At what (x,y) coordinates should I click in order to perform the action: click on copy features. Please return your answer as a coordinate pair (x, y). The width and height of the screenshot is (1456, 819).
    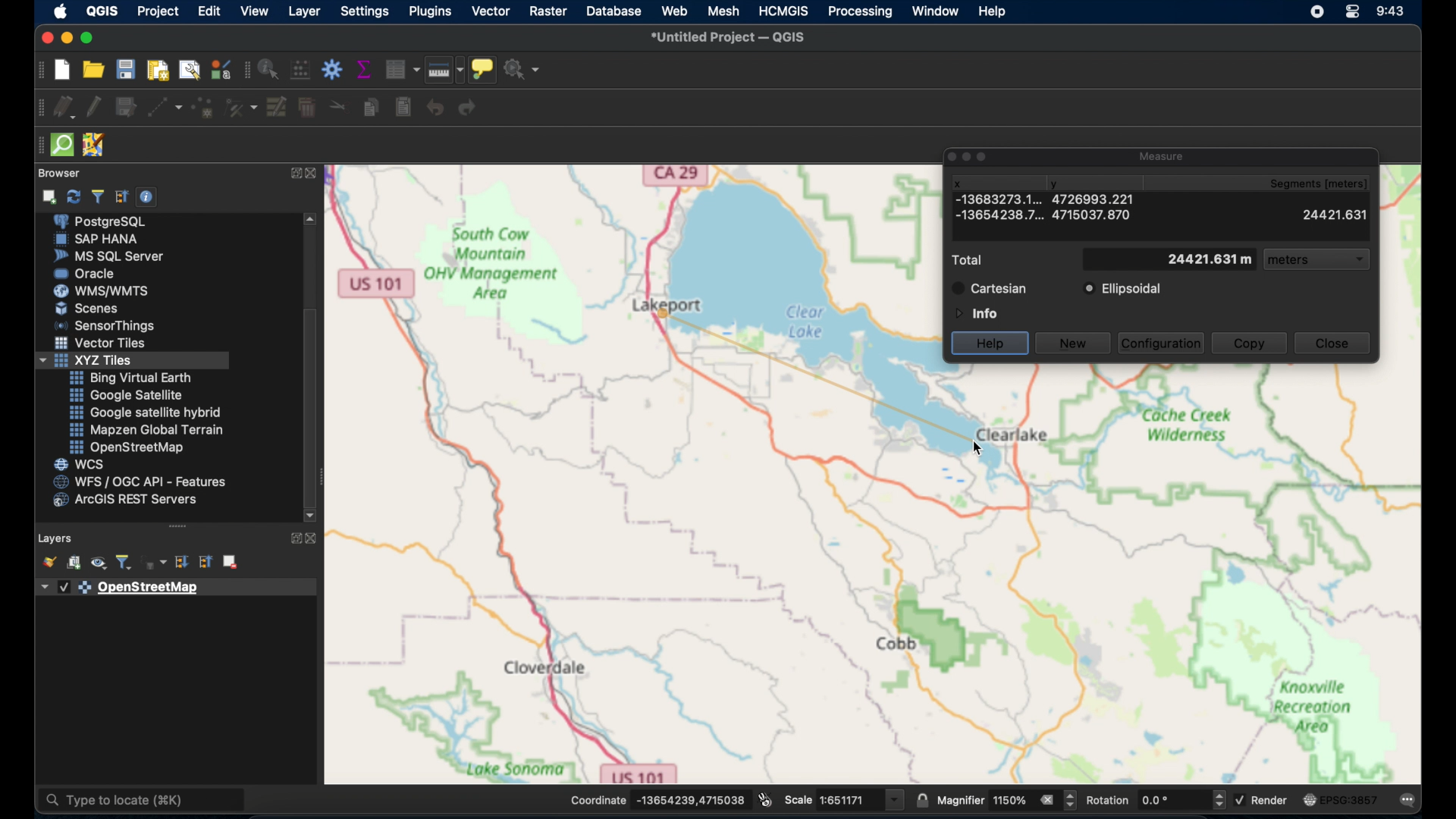
    Looking at the image, I should click on (369, 108).